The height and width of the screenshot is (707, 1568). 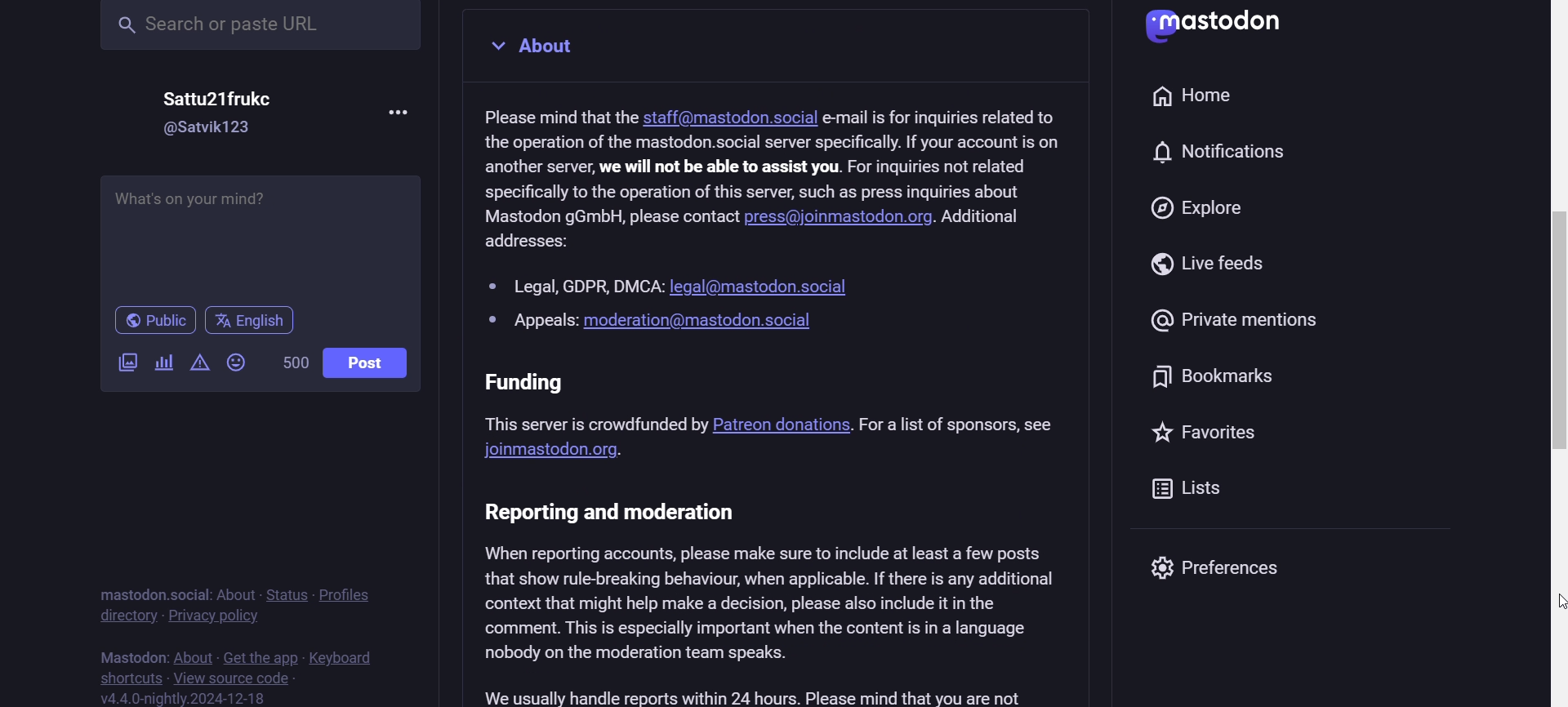 I want to click on press@joinmastodon.org, so click(x=842, y=219).